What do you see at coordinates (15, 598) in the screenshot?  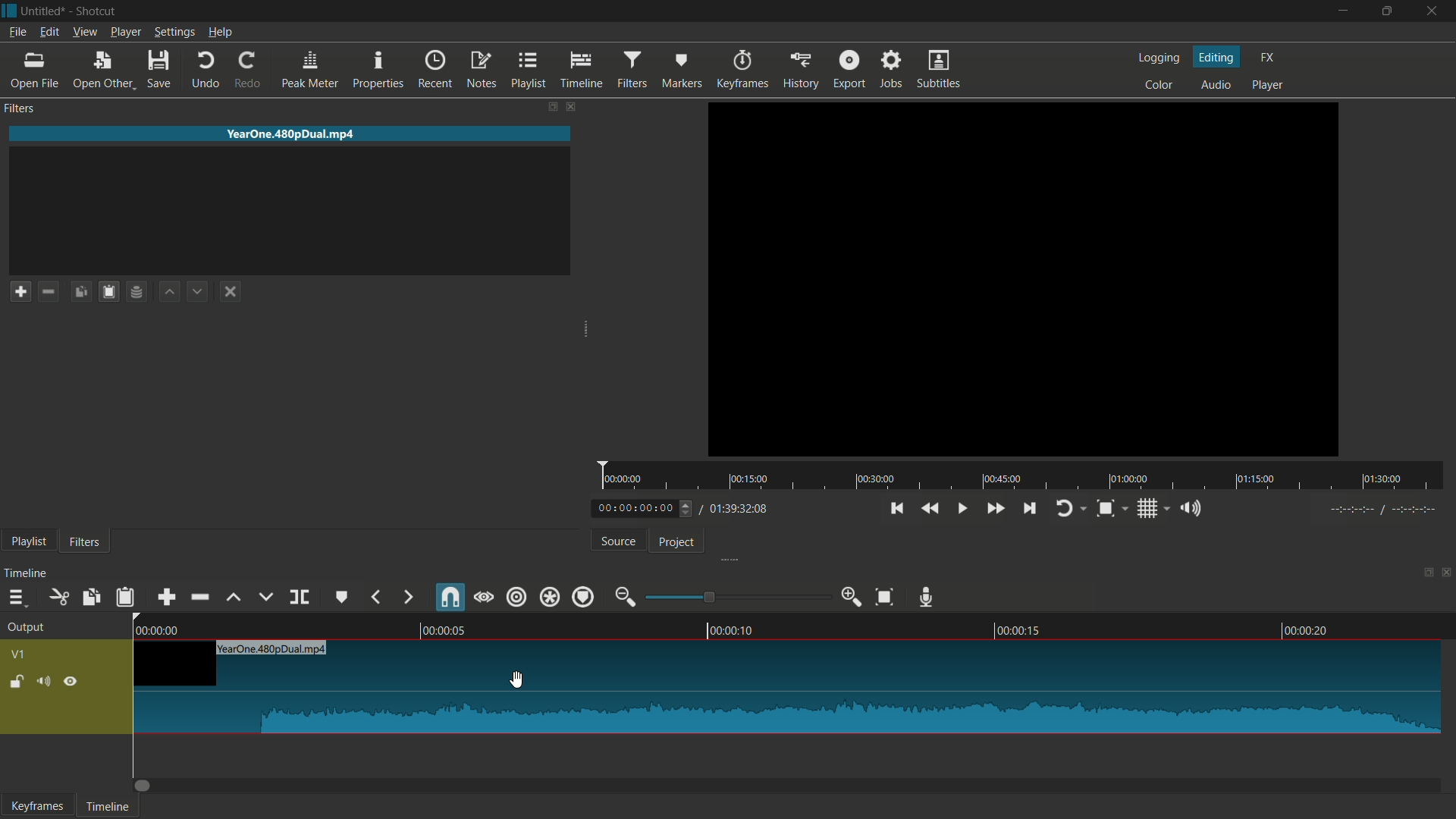 I see `timeline menu` at bounding box center [15, 598].